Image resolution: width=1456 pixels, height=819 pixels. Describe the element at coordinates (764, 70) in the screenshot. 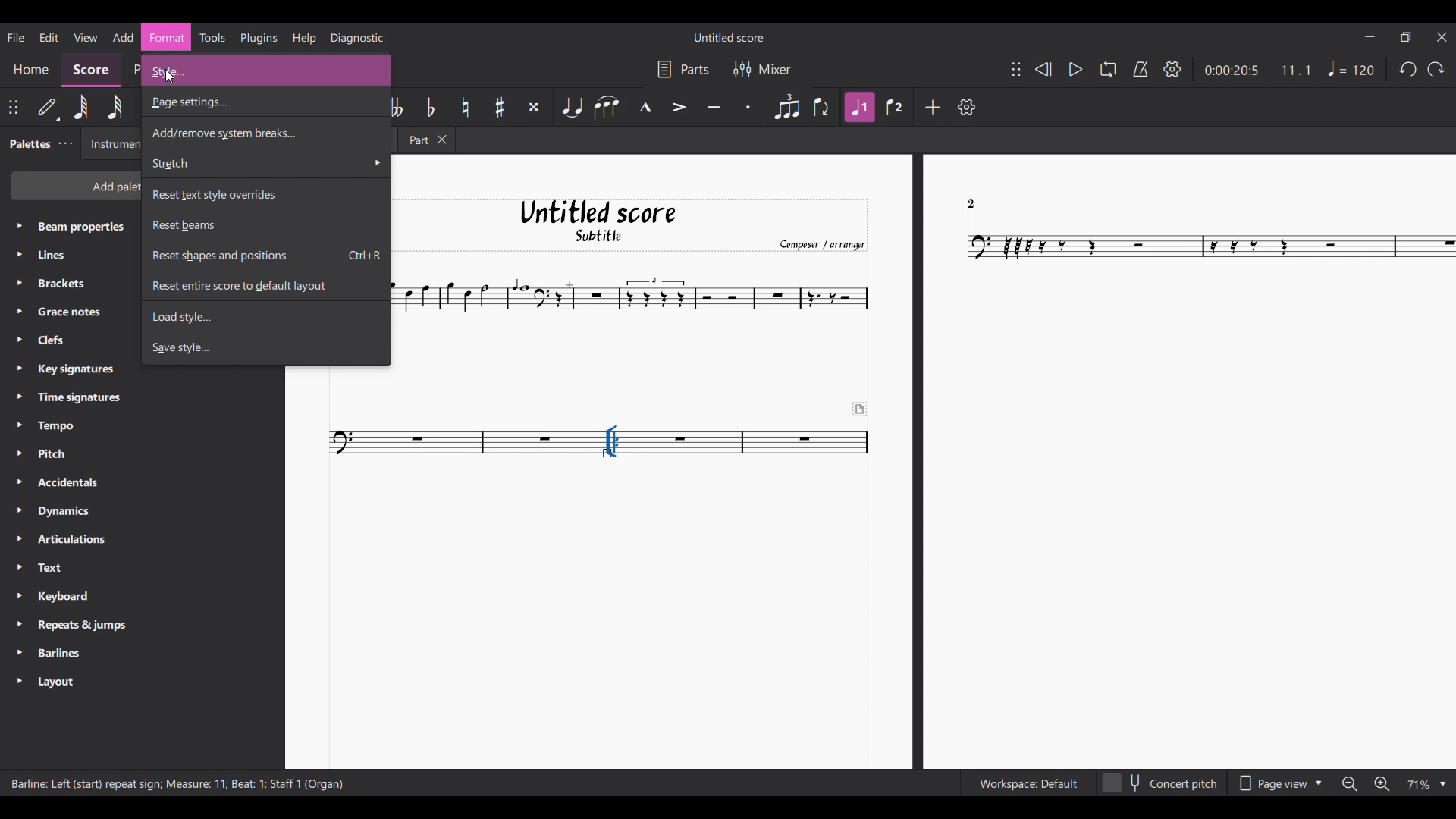

I see `Mixer settings` at that location.